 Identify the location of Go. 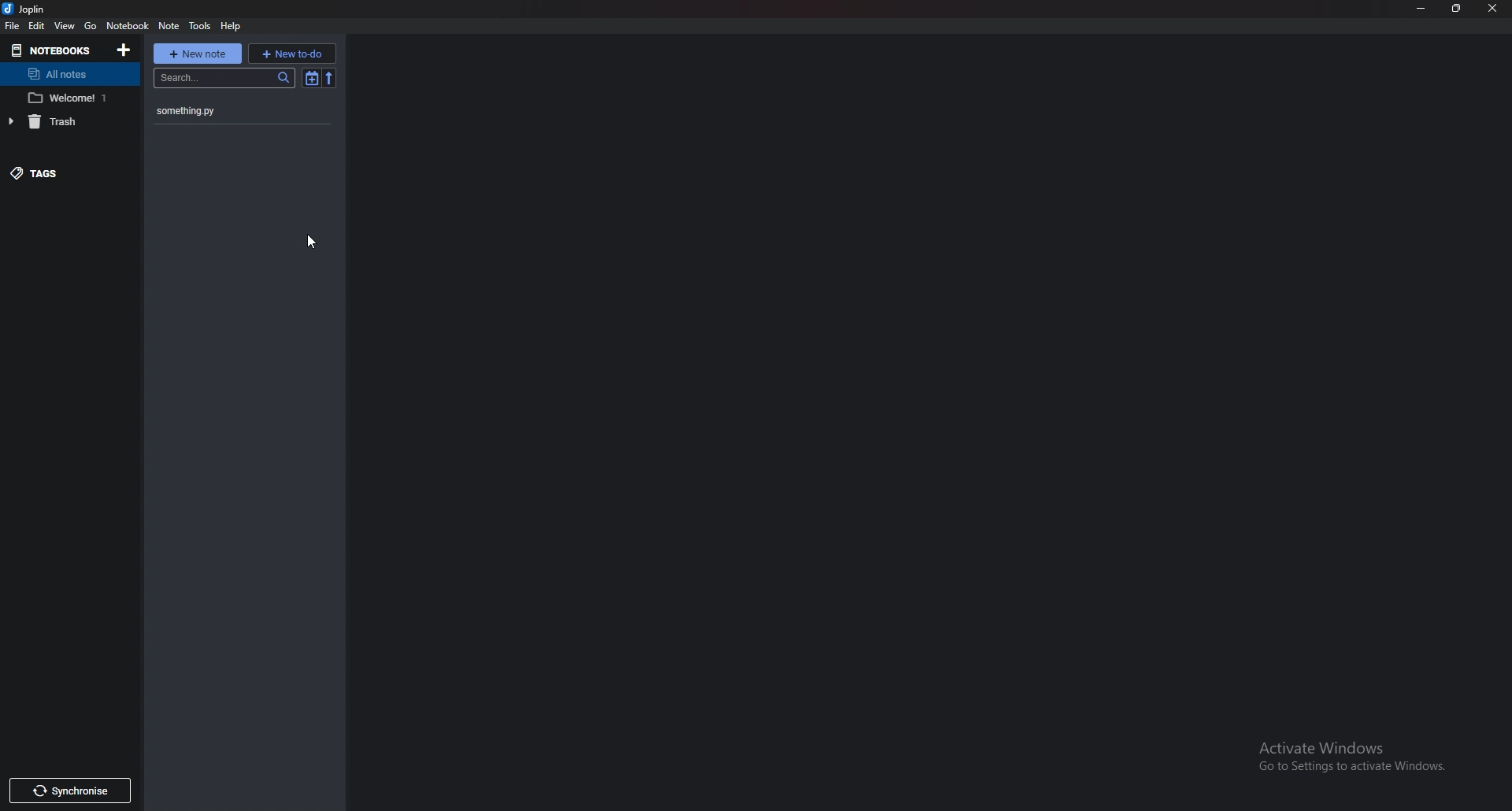
(91, 26).